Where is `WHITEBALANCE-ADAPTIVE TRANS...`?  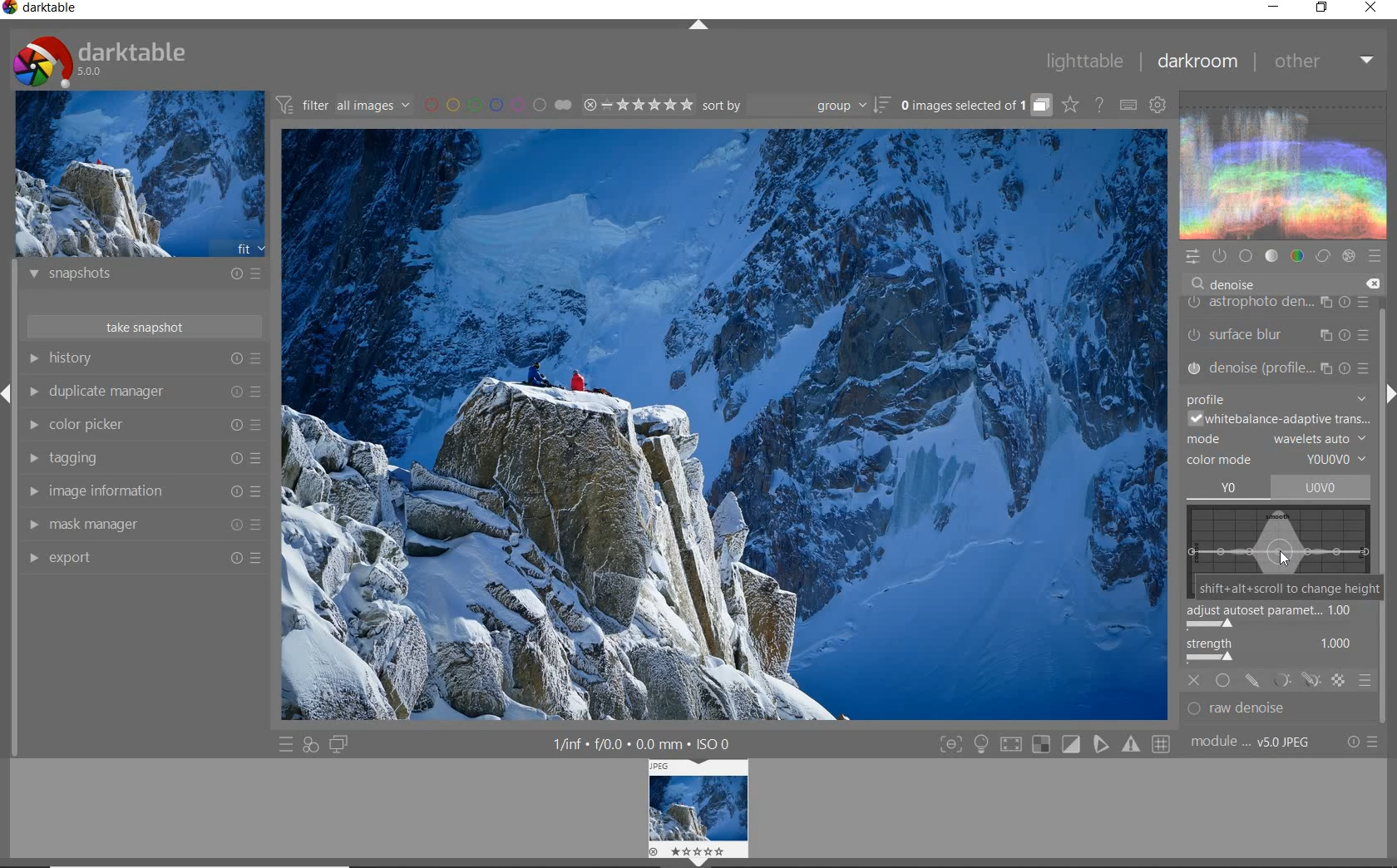 WHITEBALANCE-ADAPTIVE TRANS... is located at coordinates (1279, 417).